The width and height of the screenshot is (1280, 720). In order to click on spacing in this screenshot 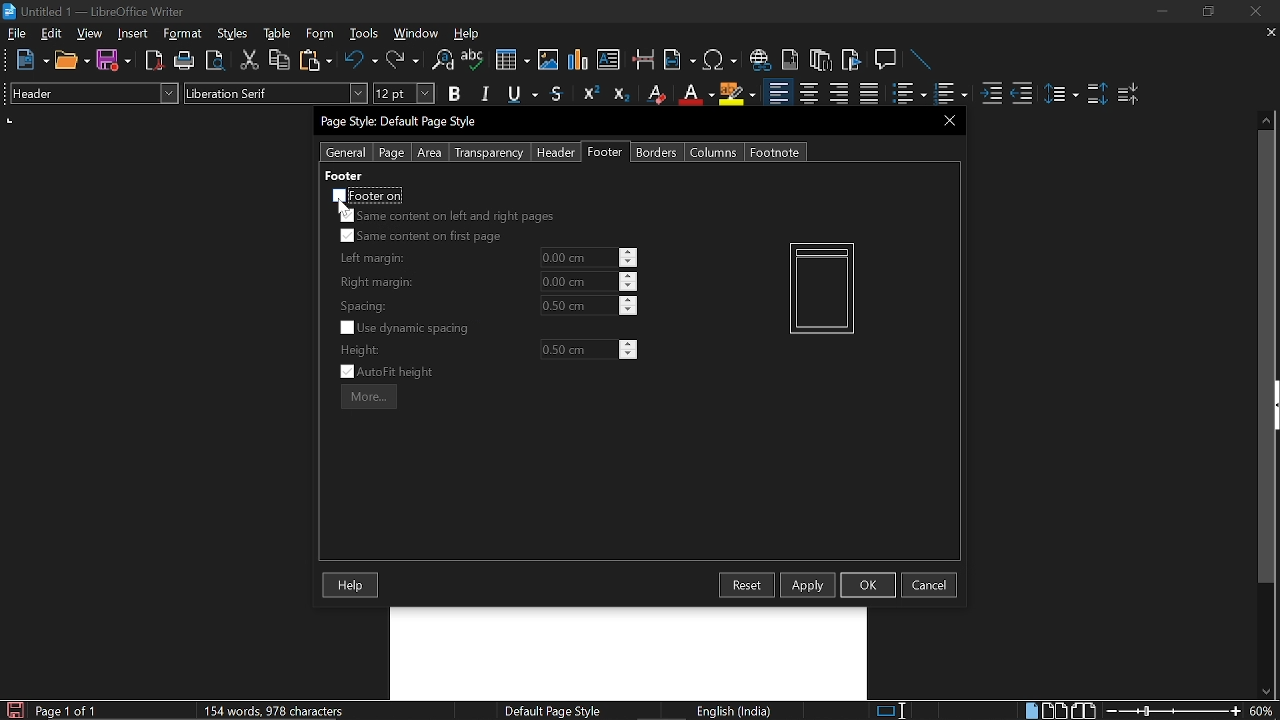, I will do `click(367, 306)`.